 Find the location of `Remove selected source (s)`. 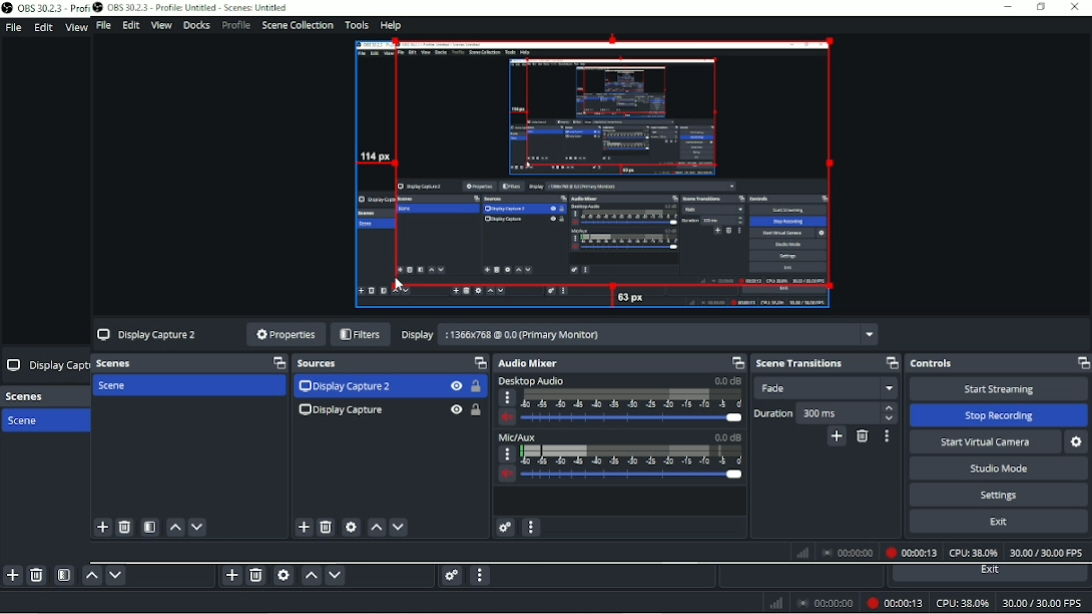

Remove selected source (s) is located at coordinates (256, 577).